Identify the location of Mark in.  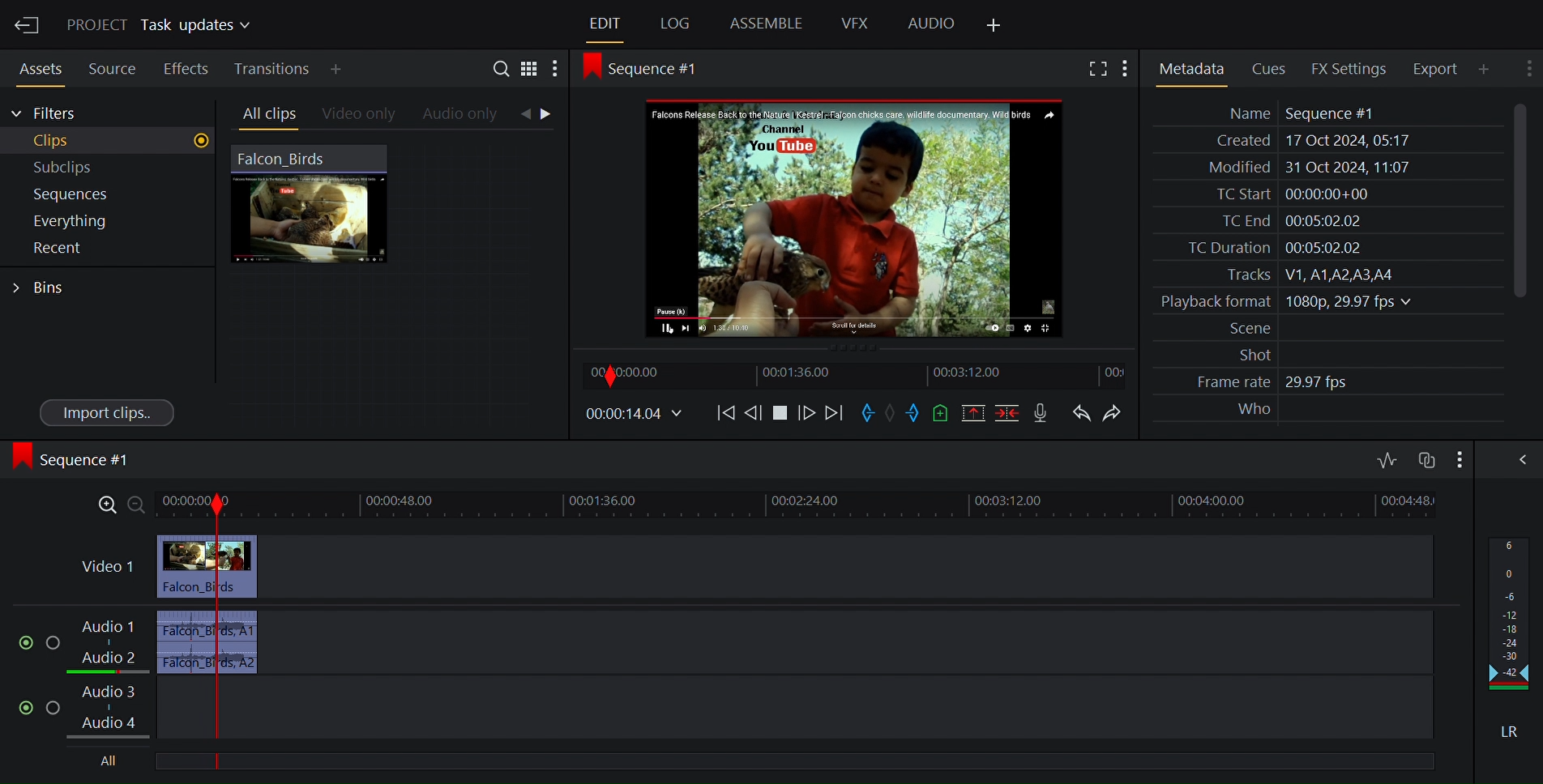
(866, 413).